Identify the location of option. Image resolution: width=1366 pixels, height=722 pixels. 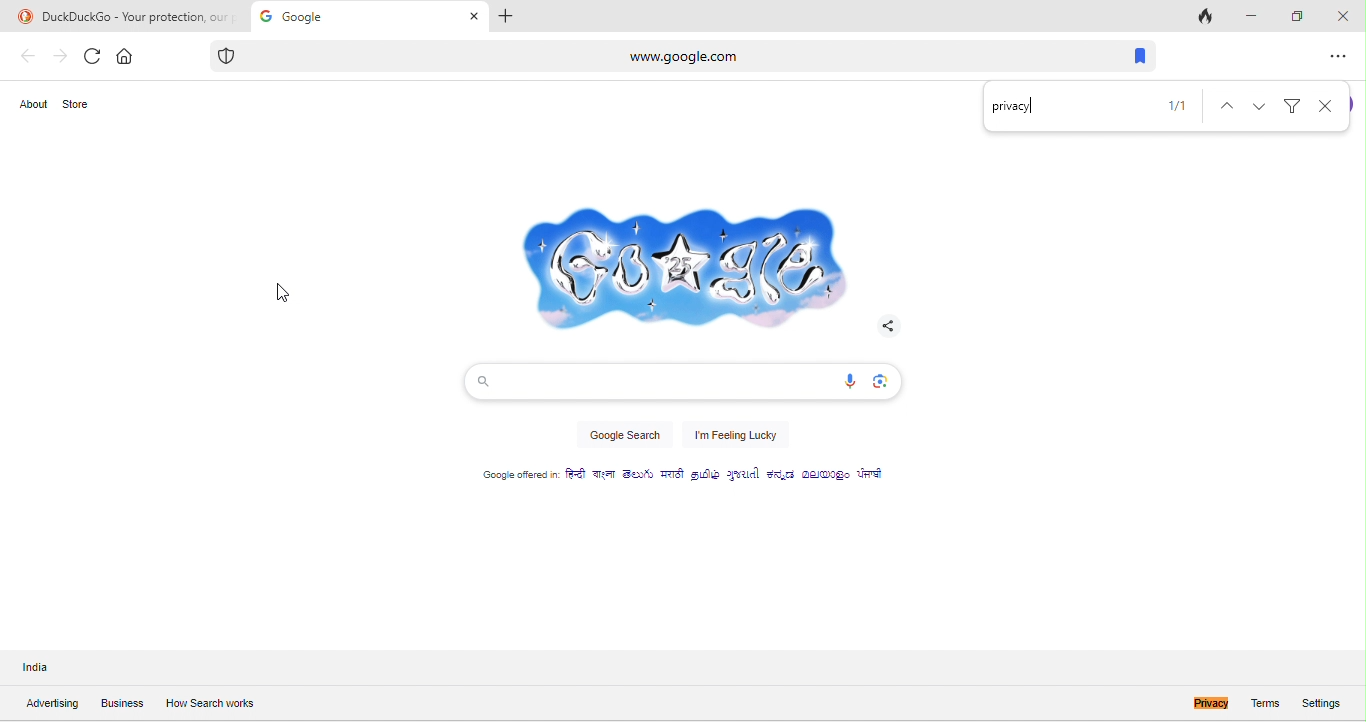
(1338, 56).